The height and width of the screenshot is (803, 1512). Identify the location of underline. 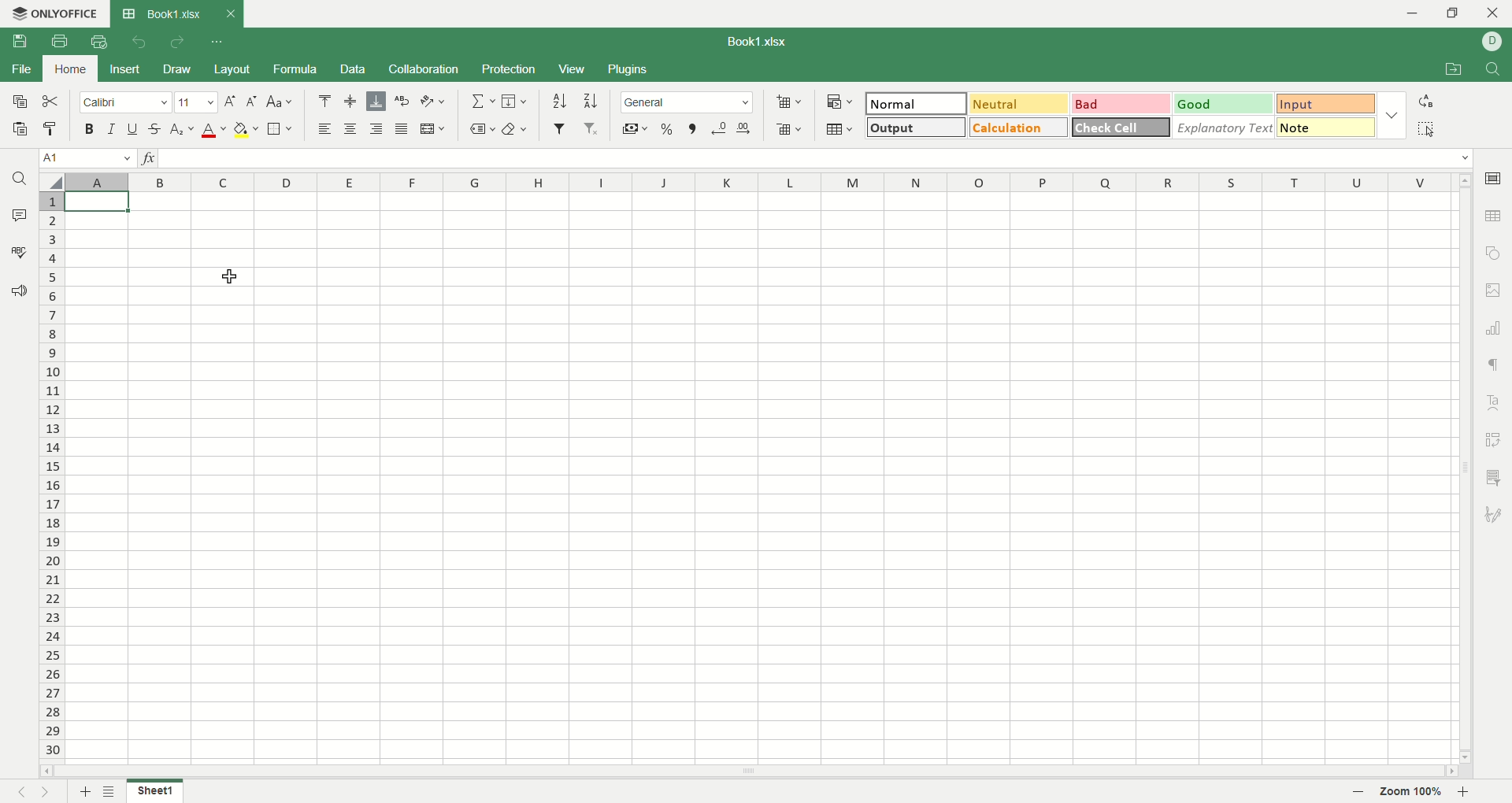
(132, 129).